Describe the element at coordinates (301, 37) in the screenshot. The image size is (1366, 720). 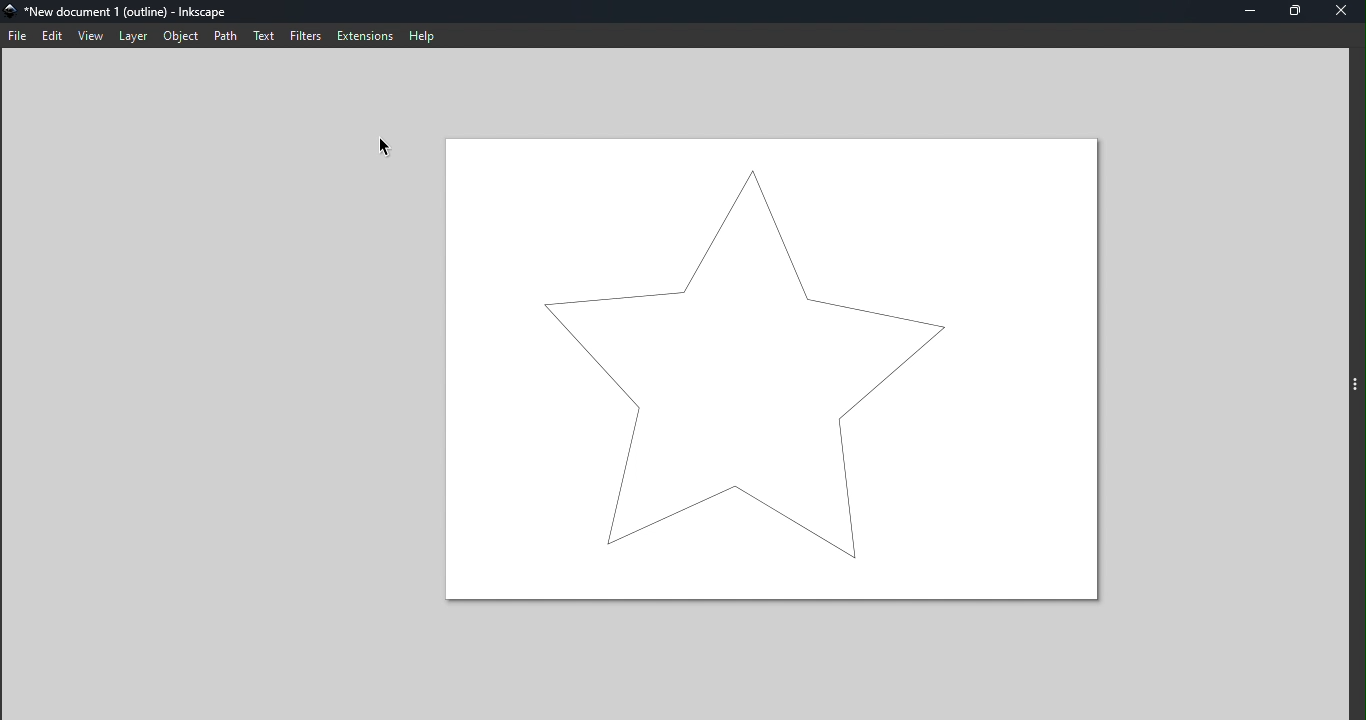
I see `Filters` at that location.